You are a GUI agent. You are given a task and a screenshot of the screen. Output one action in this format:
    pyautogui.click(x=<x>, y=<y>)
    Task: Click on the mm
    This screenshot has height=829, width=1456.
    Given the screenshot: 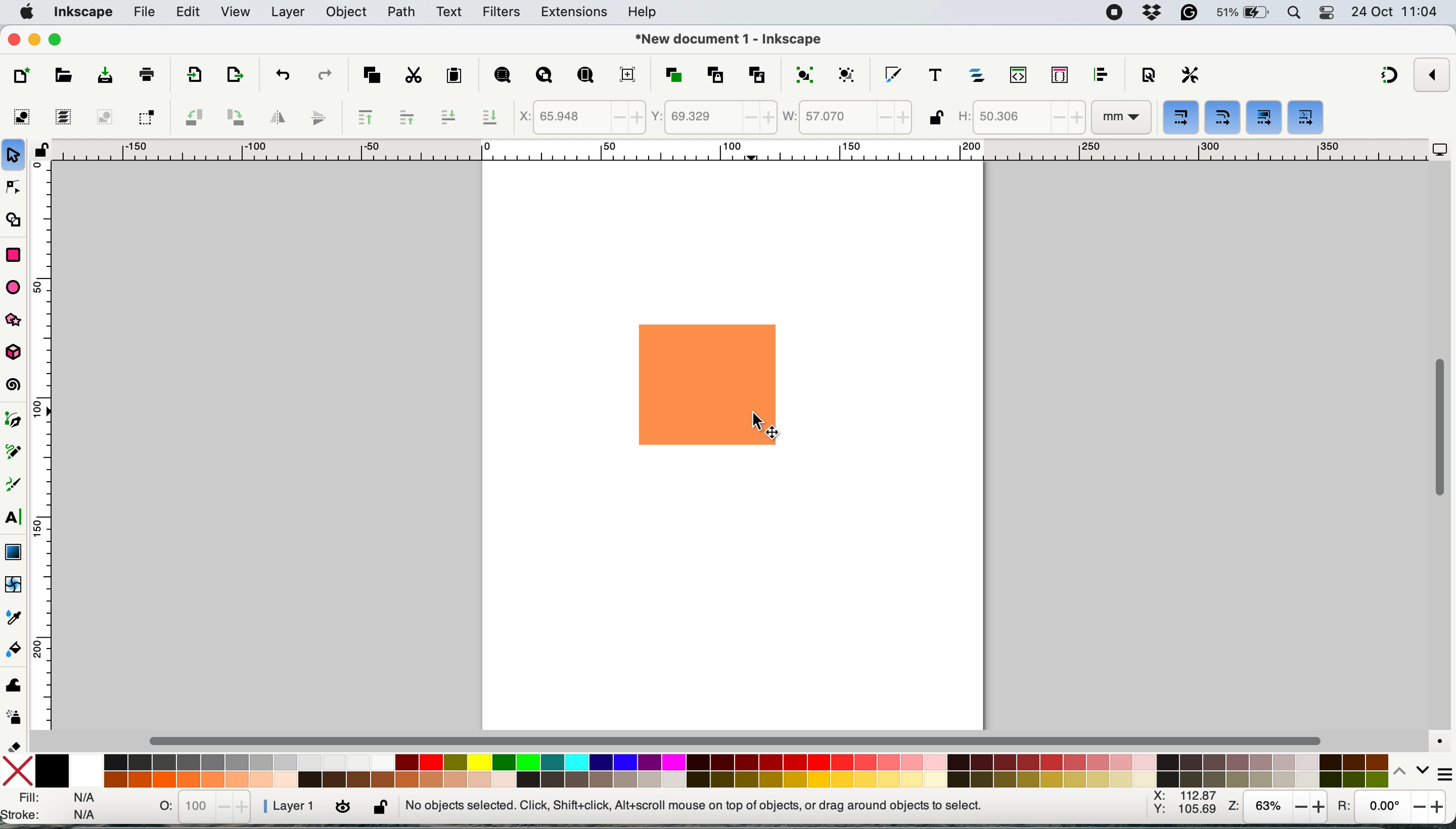 What is the action you would take?
    pyautogui.click(x=1119, y=118)
    